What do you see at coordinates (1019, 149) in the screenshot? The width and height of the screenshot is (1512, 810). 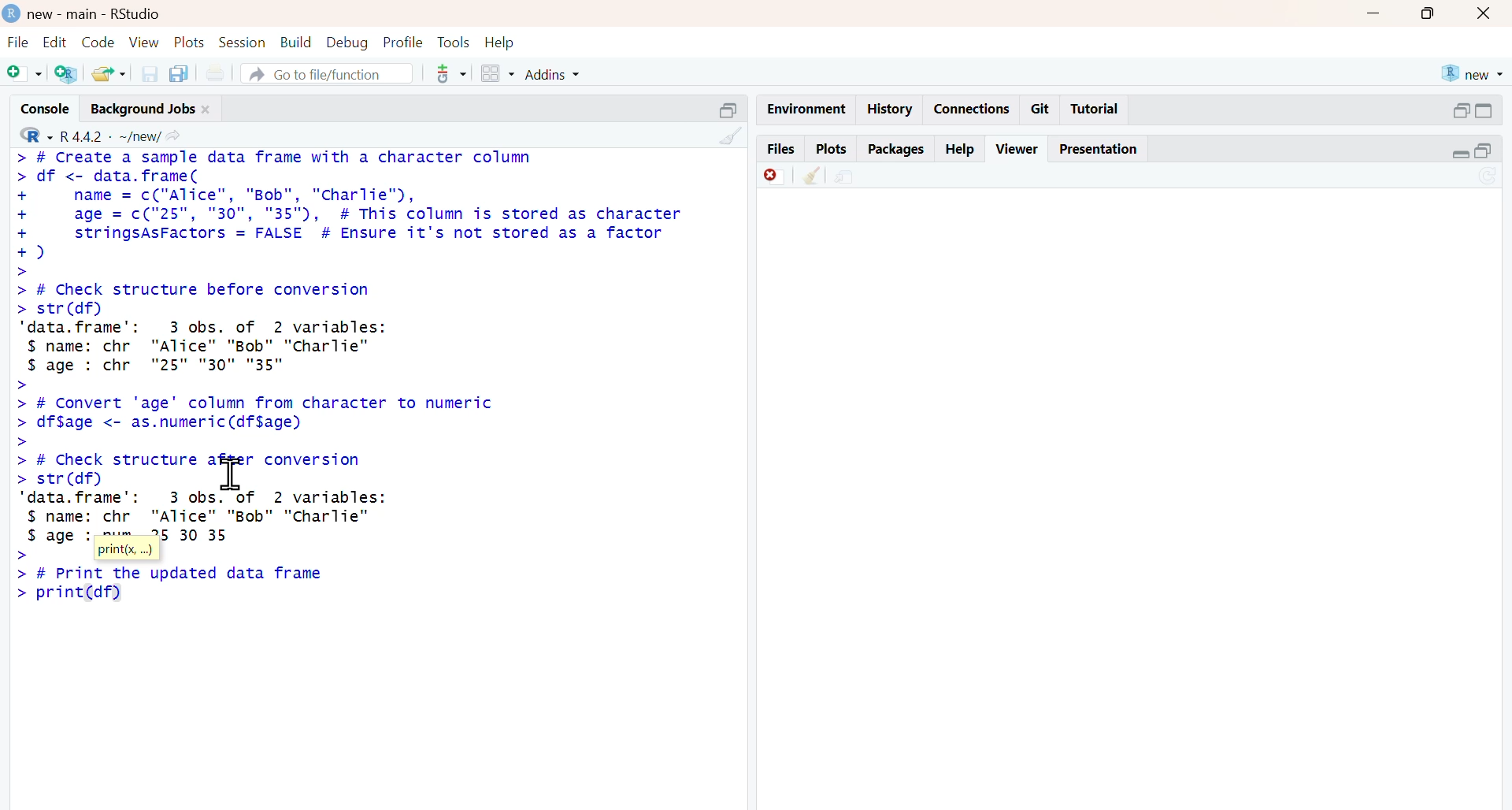 I see `viewer` at bounding box center [1019, 149].